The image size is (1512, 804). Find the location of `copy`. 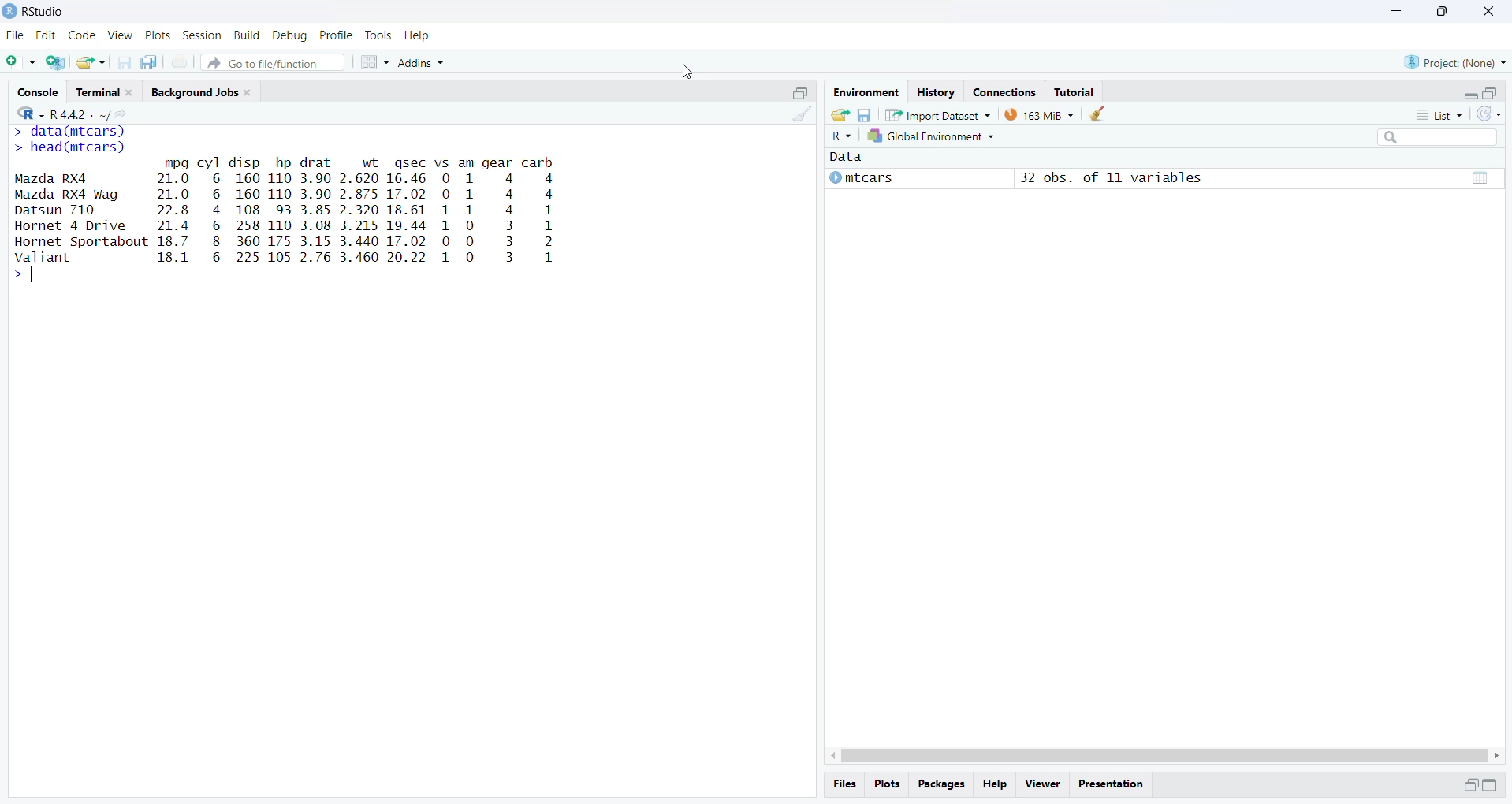

copy is located at coordinates (150, 62).